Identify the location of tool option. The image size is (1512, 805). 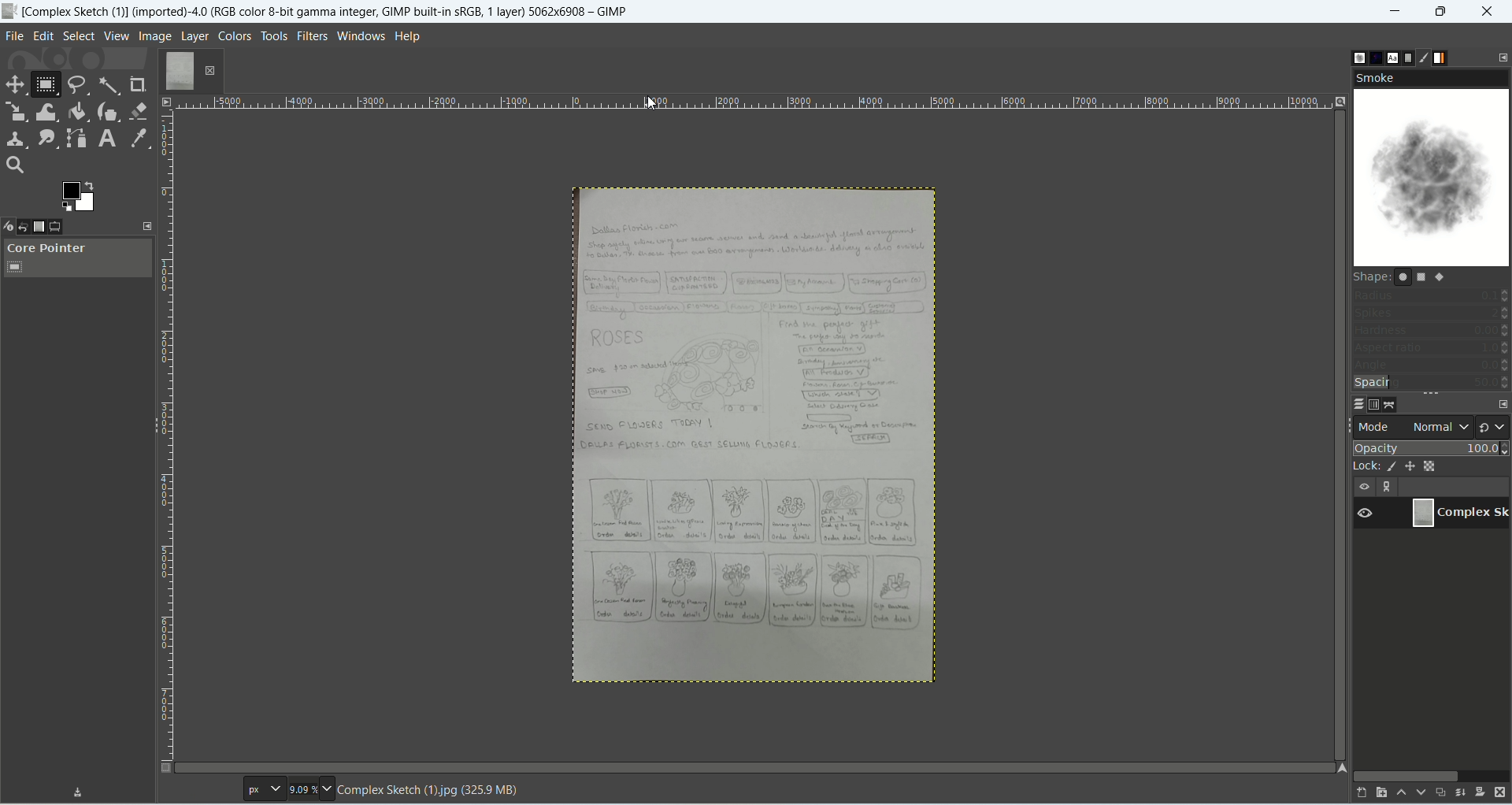
(54, 226).